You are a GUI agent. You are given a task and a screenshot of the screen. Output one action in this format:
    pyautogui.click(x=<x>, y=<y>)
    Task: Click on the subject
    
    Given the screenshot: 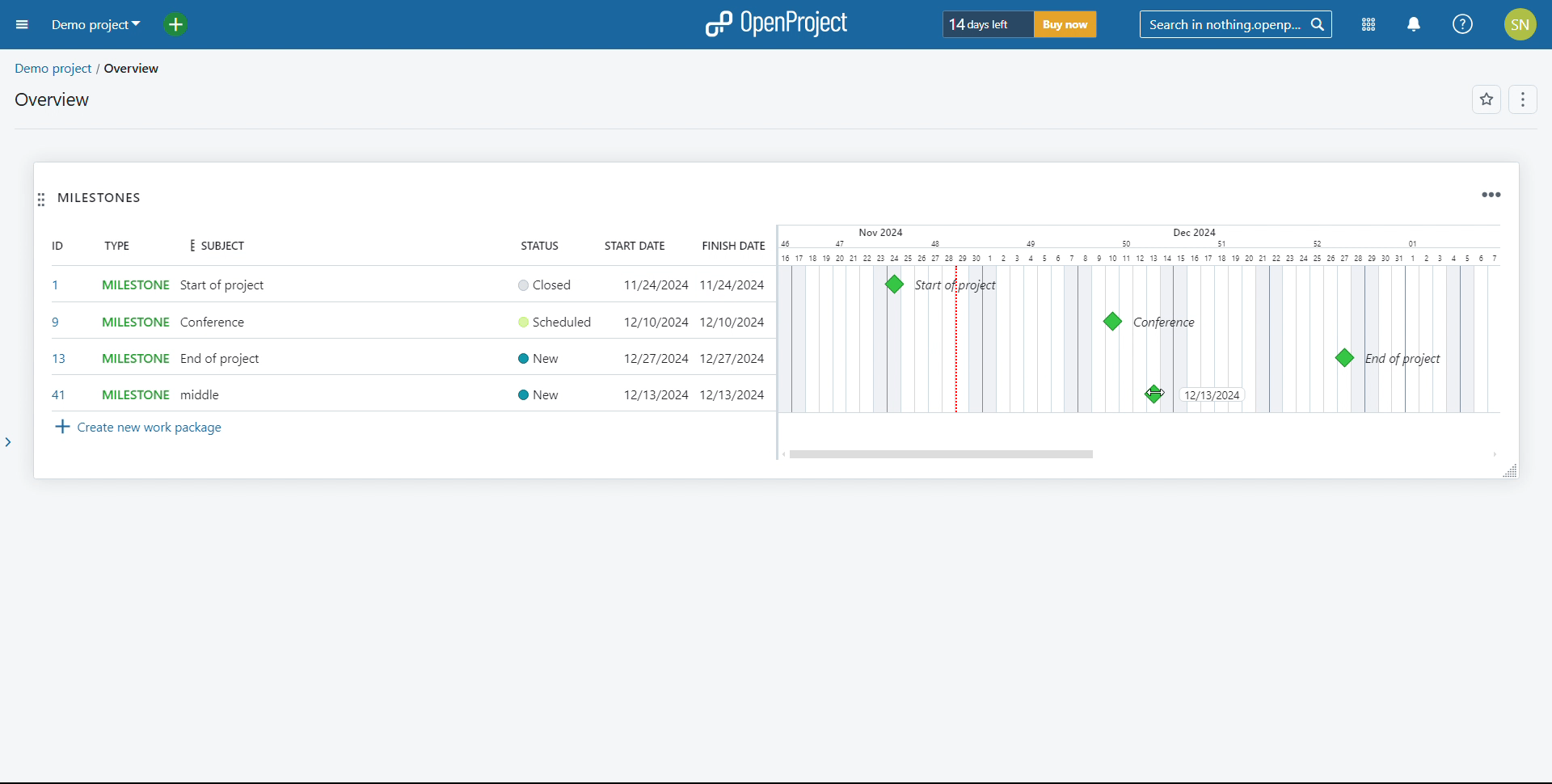 What is the action you would take?
    pyautogui.click(x=213, y=247)
    